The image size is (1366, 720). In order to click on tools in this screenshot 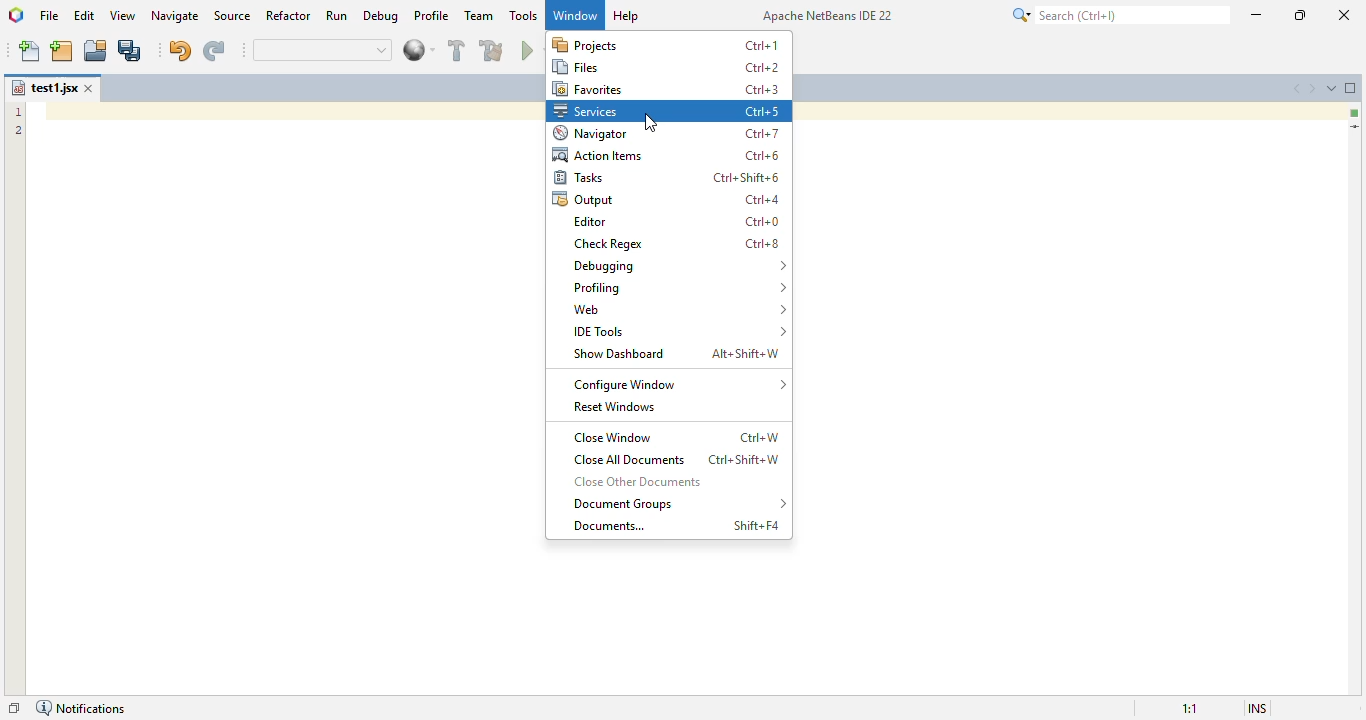, I will do `click(523, 15)`.